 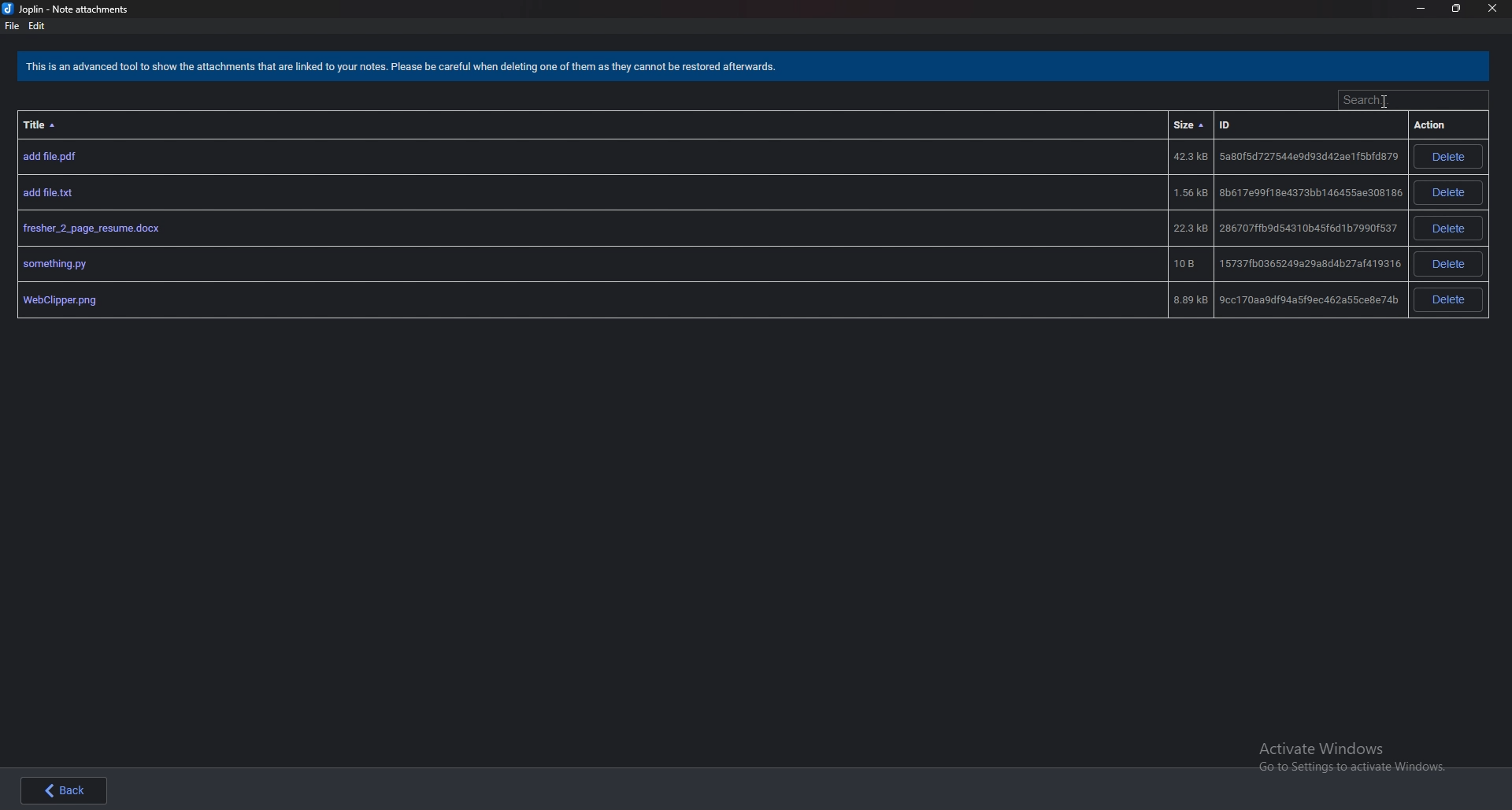 What do you see at coordinates (709, 263) in the screenshot?
I see `attachment` at bounding box center [709, 263].